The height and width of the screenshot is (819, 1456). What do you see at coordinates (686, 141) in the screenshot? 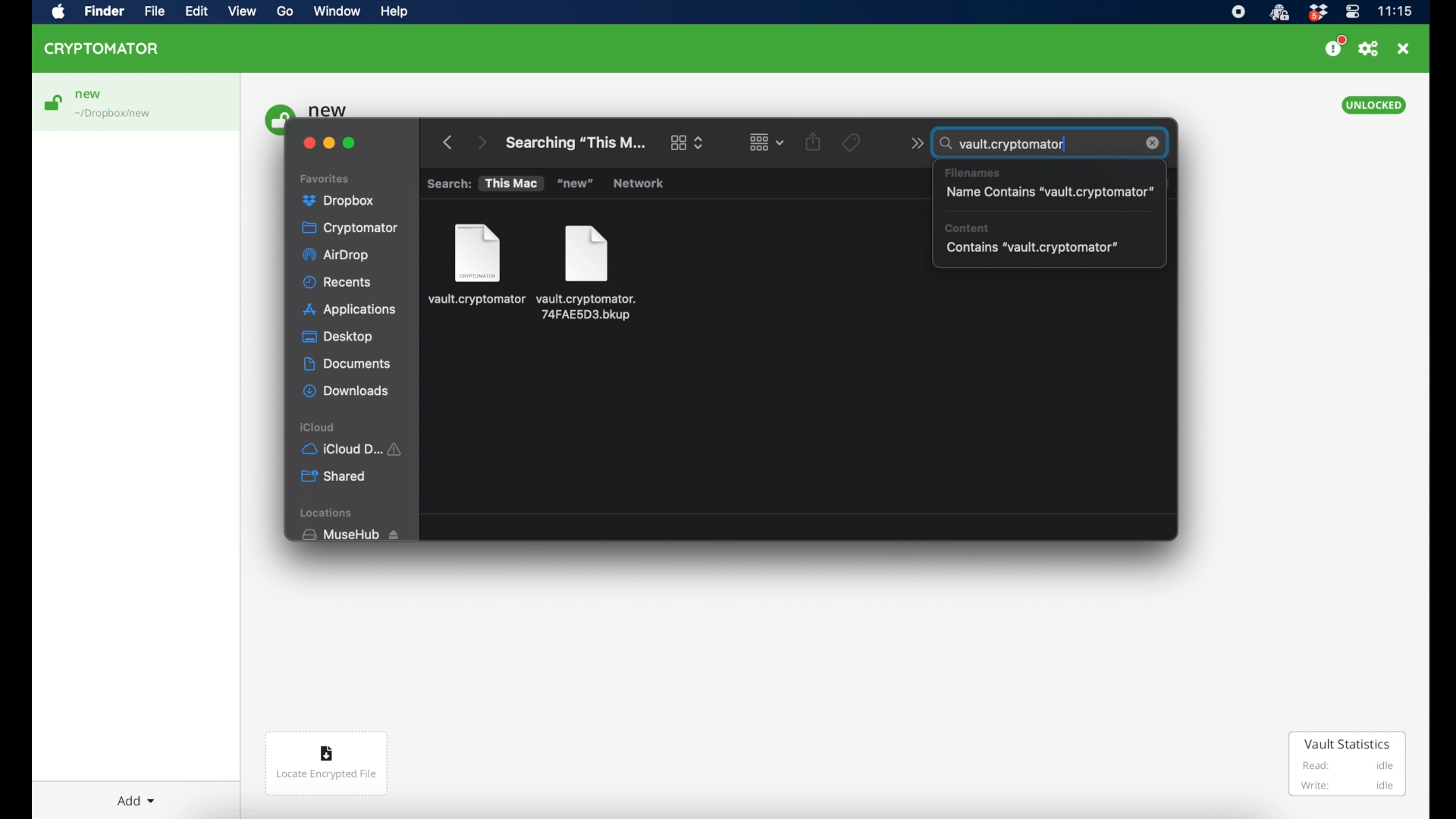
I see `view options` at bounding box center [686, 141].